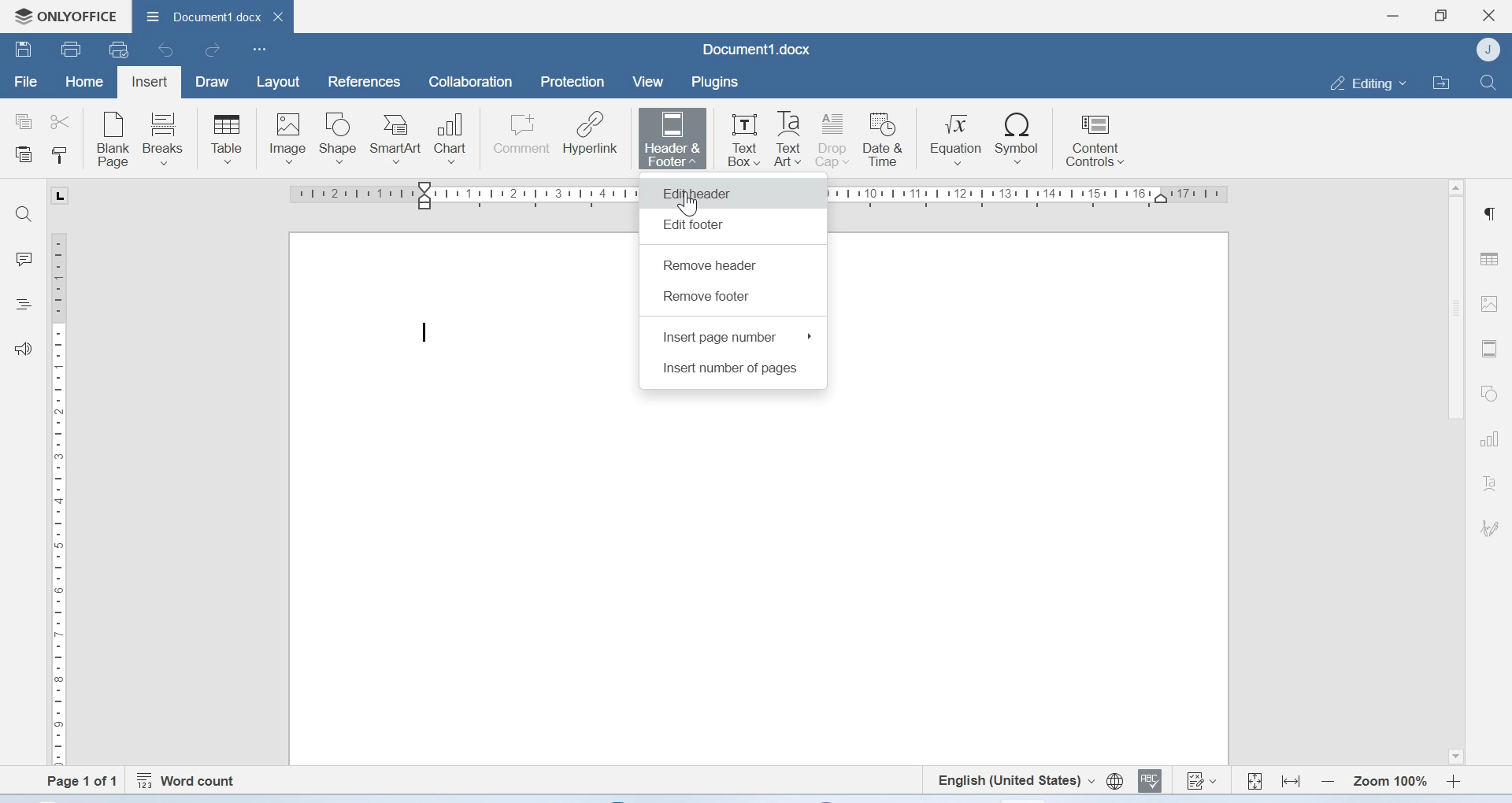 The image size is (1512, 803). I want to click on cursor on edit header, so click(688, 204).